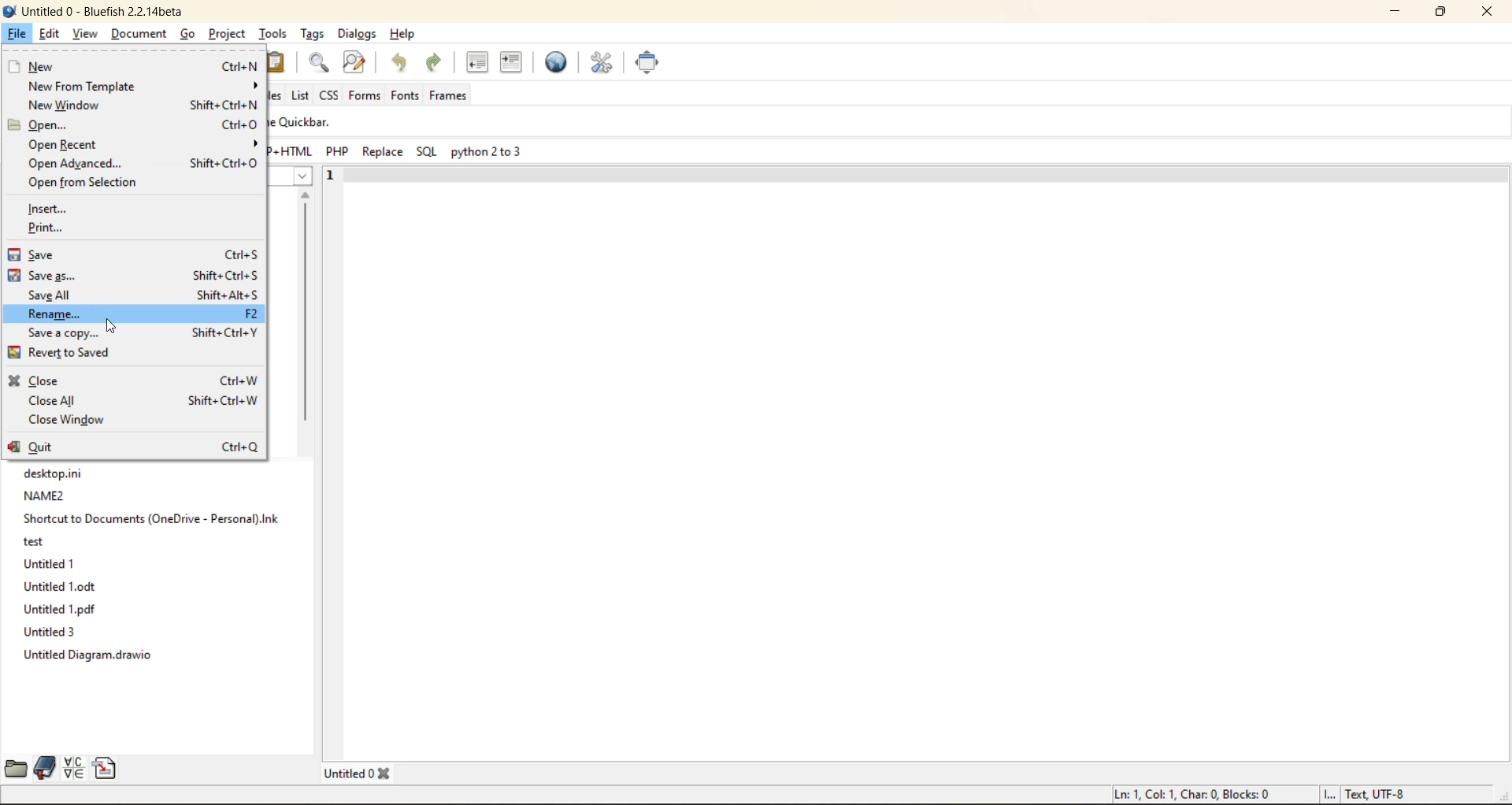  What do you see at coordinates (92, 182) in the screenshot?
I see `open from selection` at bounding box center [92, 182].